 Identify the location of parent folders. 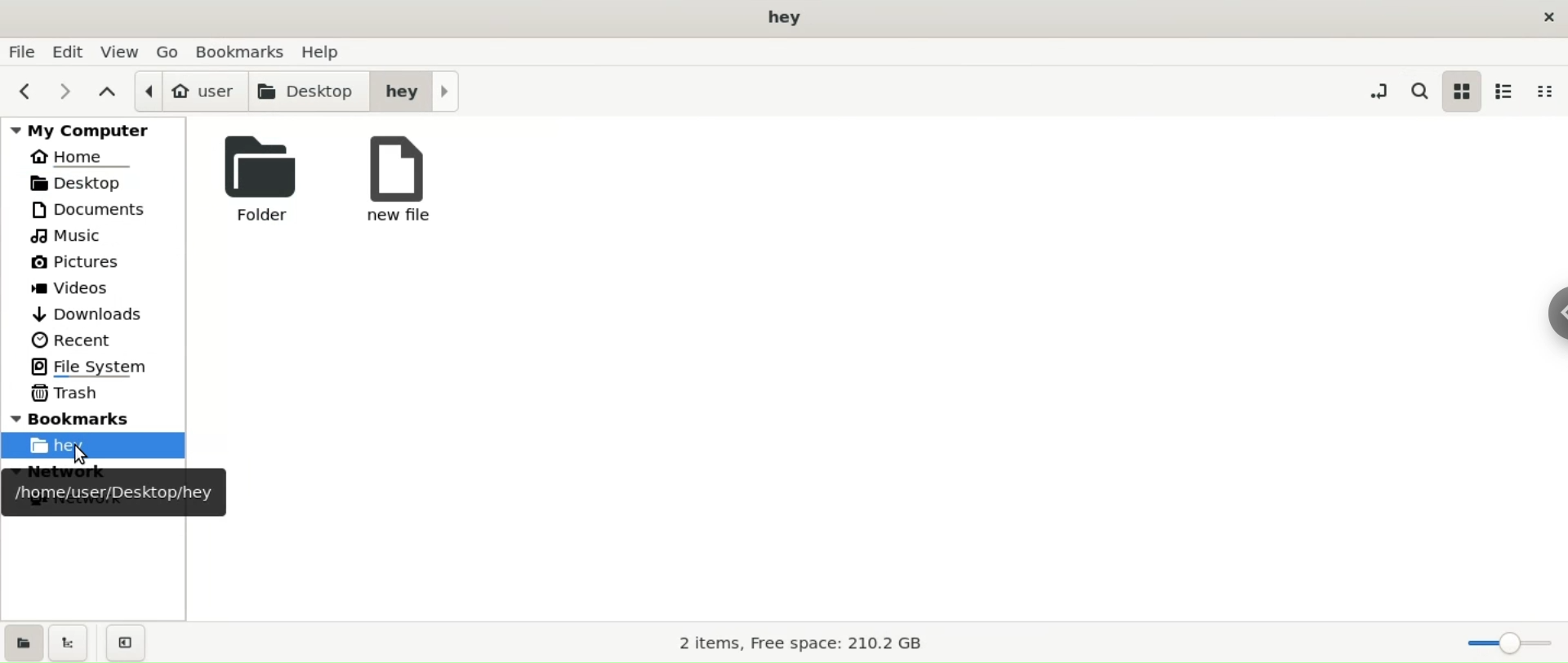
(106, 91).